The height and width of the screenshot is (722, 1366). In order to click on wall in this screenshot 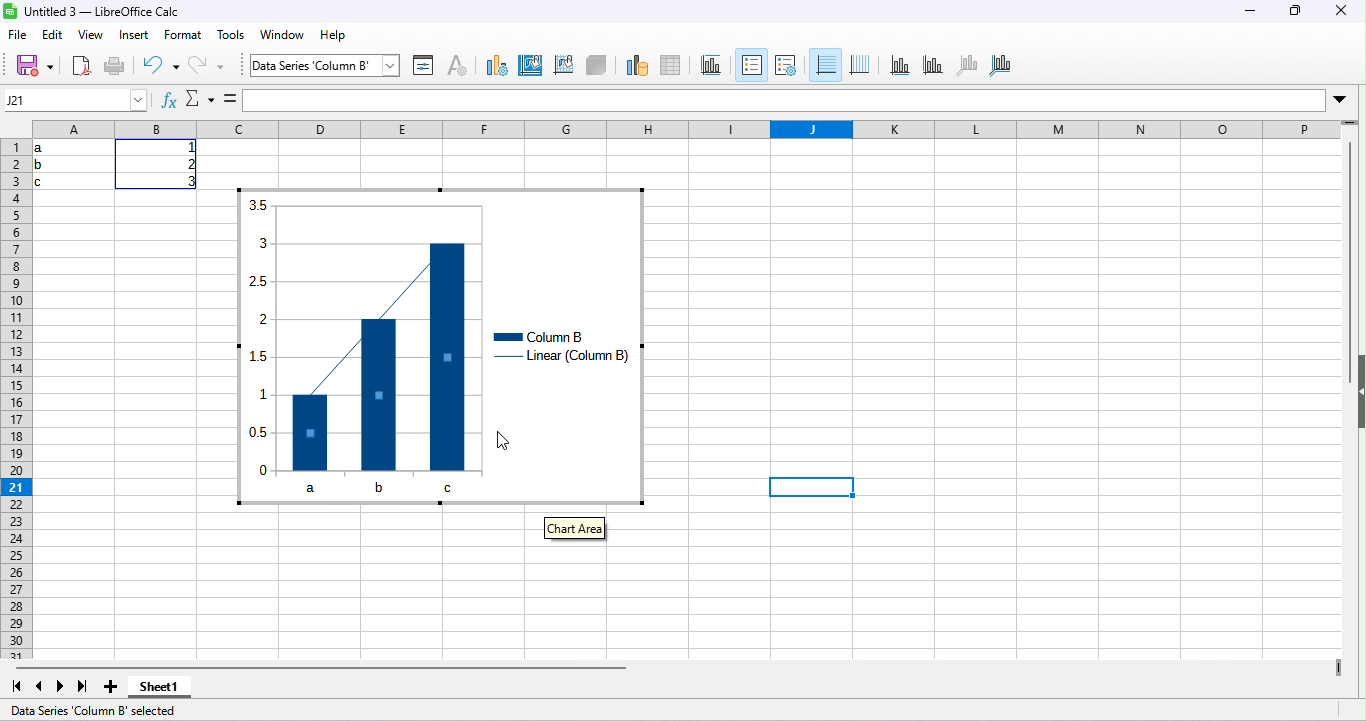, I will do `click(563, 67)`.